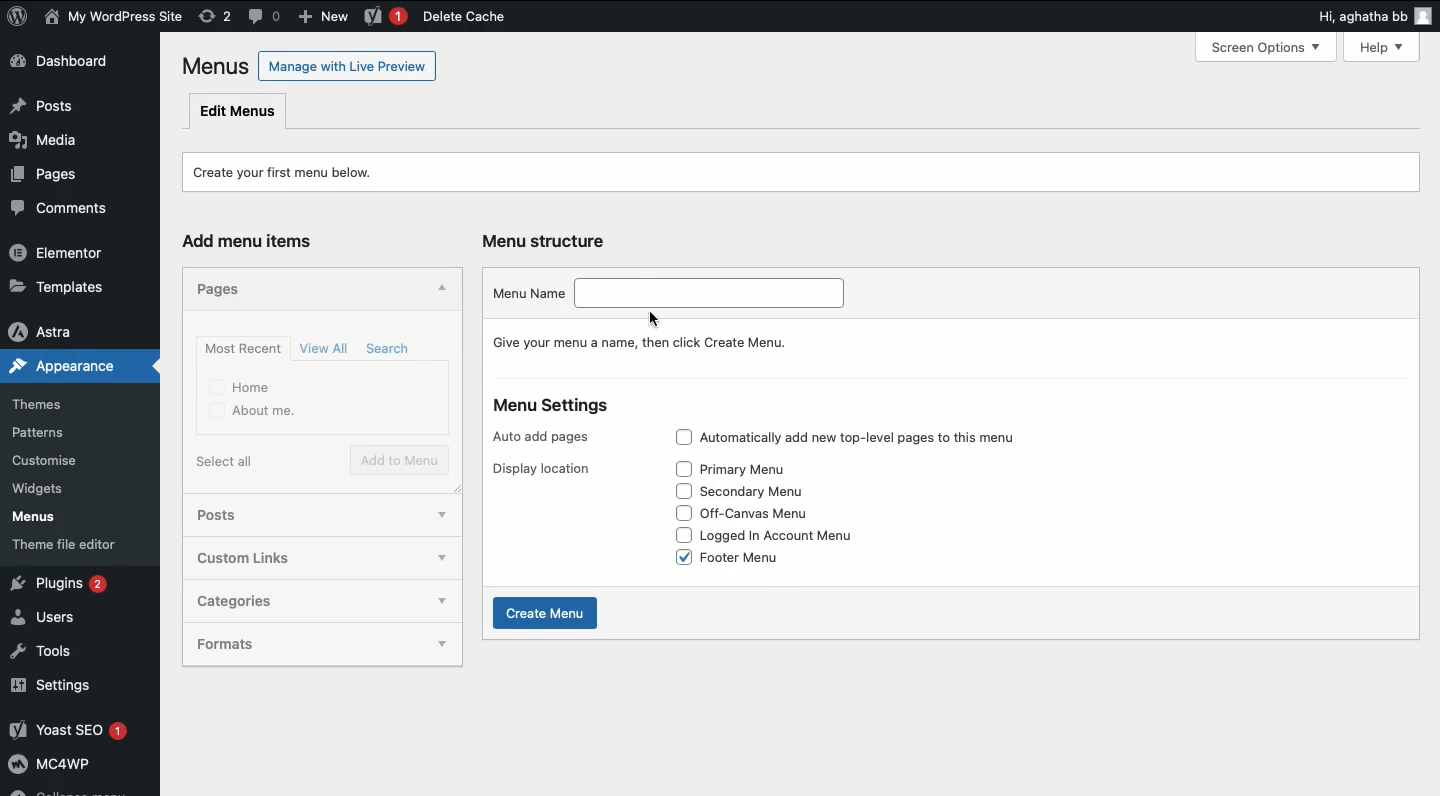  I want to click on Secondary menu, so click(765, 493).